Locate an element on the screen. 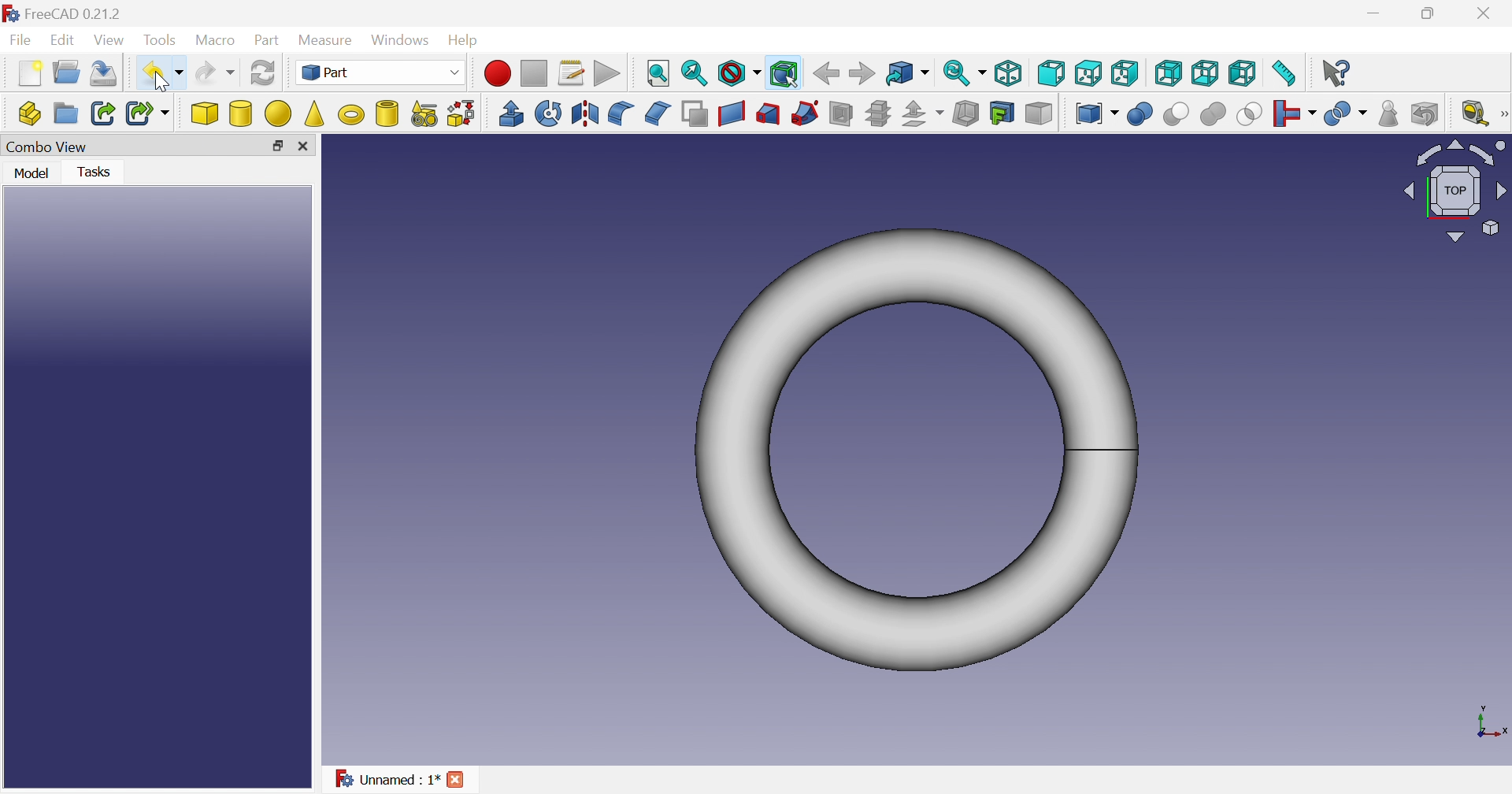 This screenshot has width=1512, height=794. Edit is located at coordinates (61, 39).